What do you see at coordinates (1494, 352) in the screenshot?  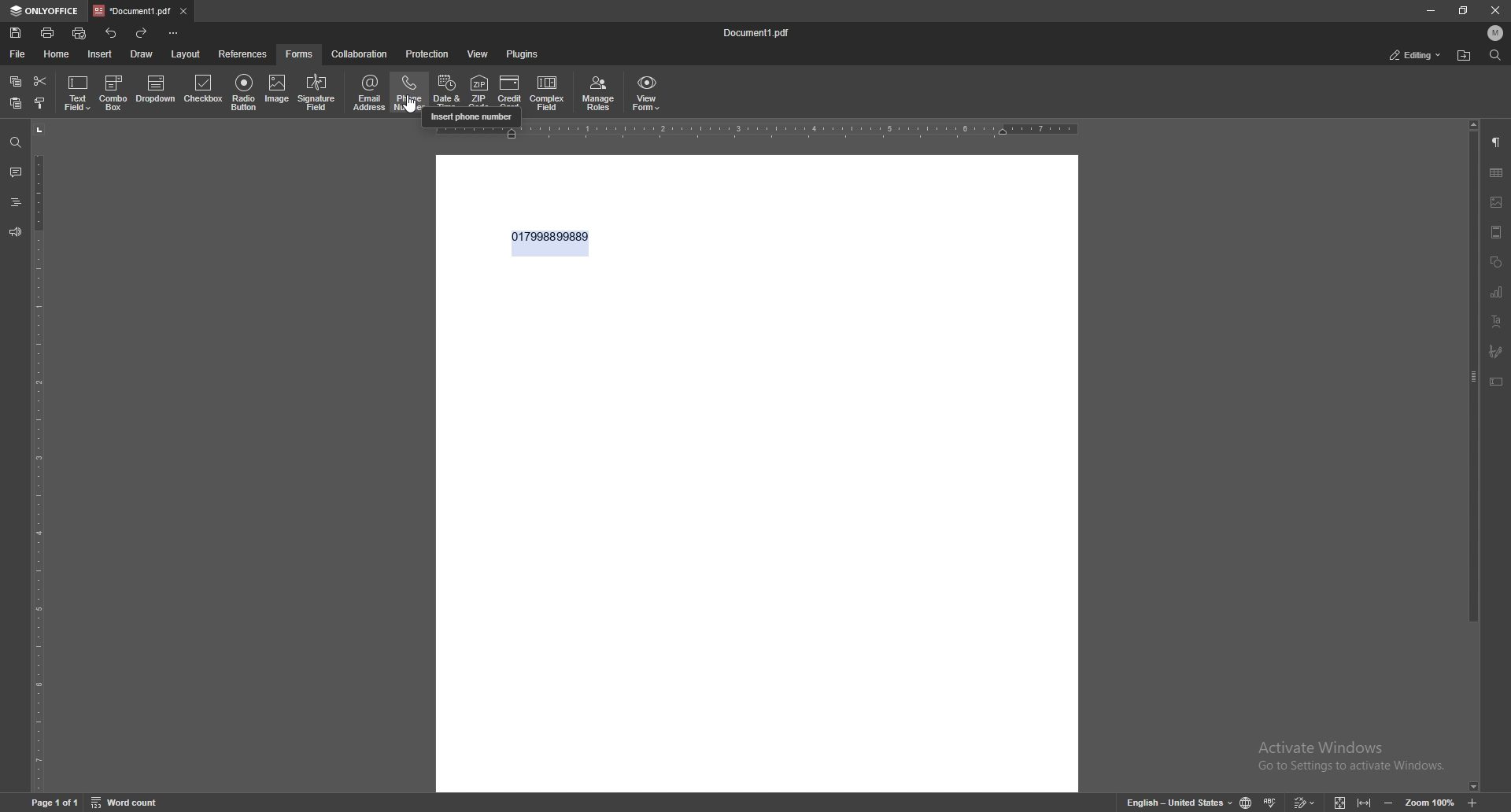 I see `signature` at bounding box center [1494, 352].